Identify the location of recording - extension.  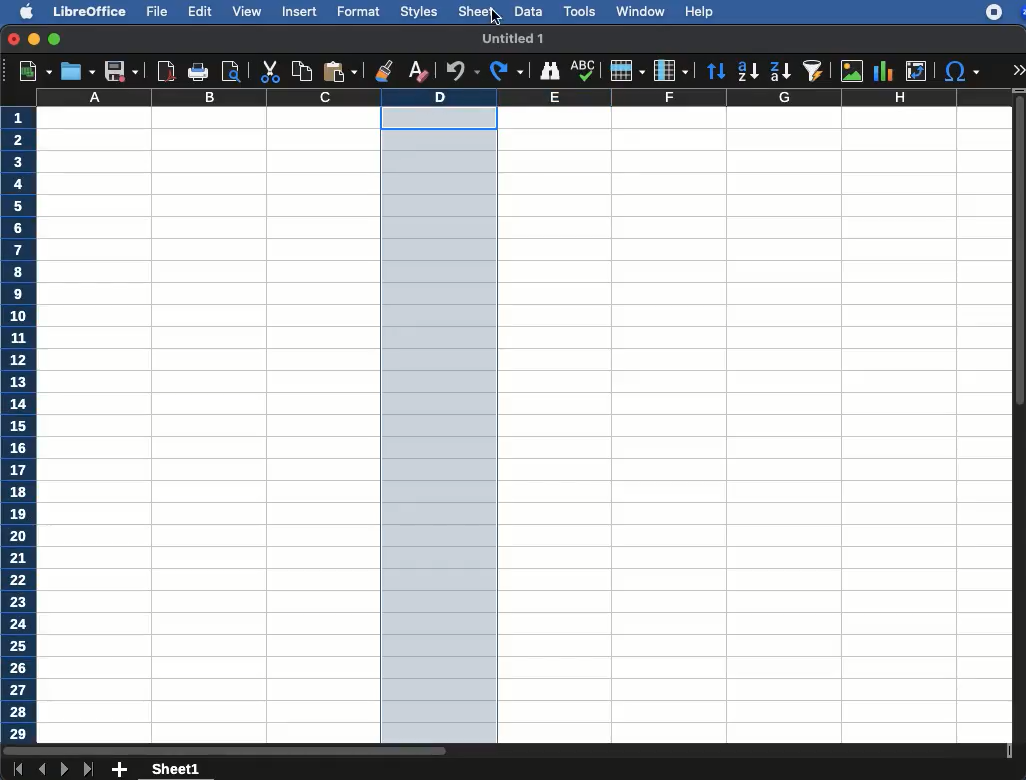
(994, 12).